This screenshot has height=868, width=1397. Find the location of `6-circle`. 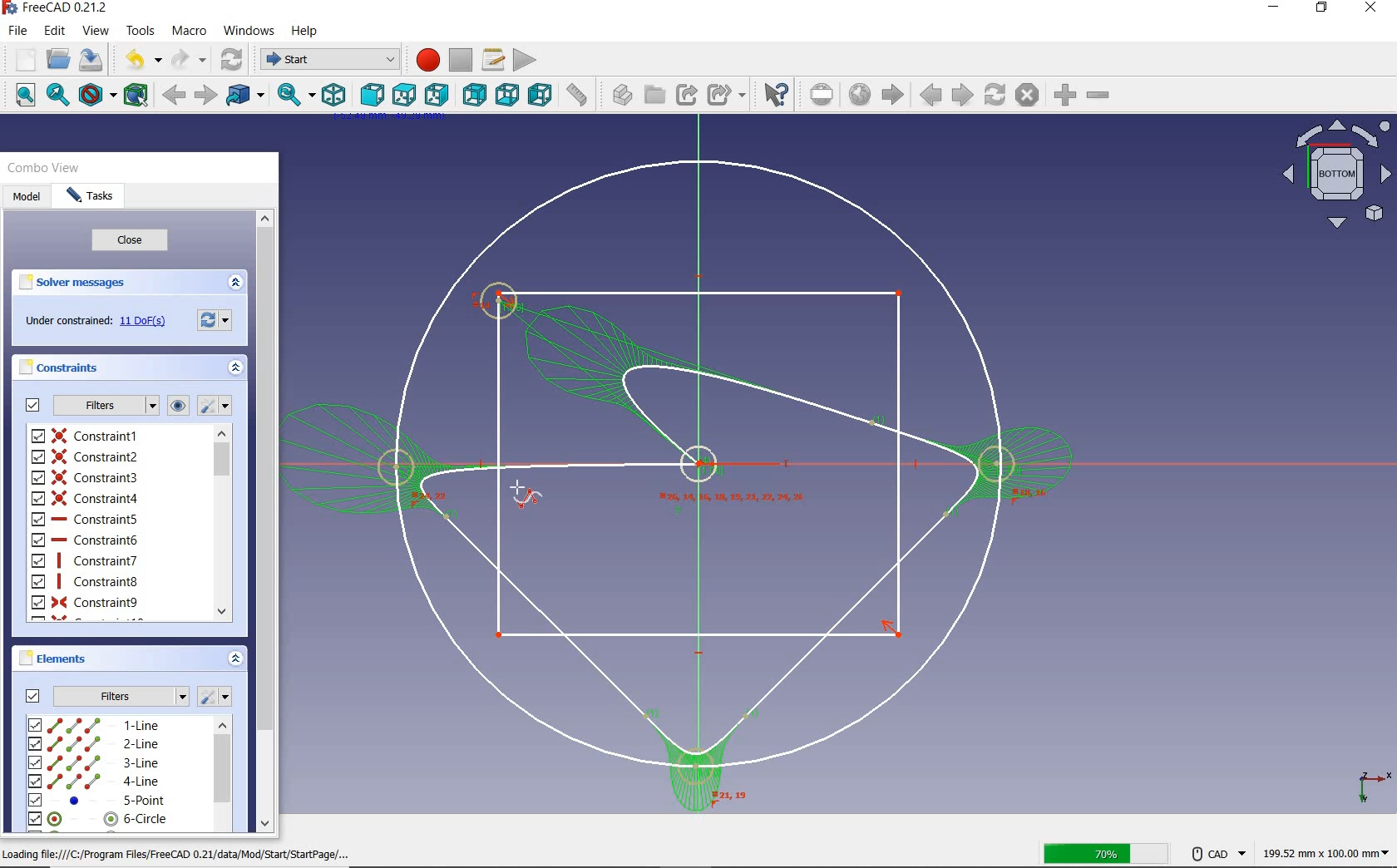

6-circle is located at coordinates (99, 819).